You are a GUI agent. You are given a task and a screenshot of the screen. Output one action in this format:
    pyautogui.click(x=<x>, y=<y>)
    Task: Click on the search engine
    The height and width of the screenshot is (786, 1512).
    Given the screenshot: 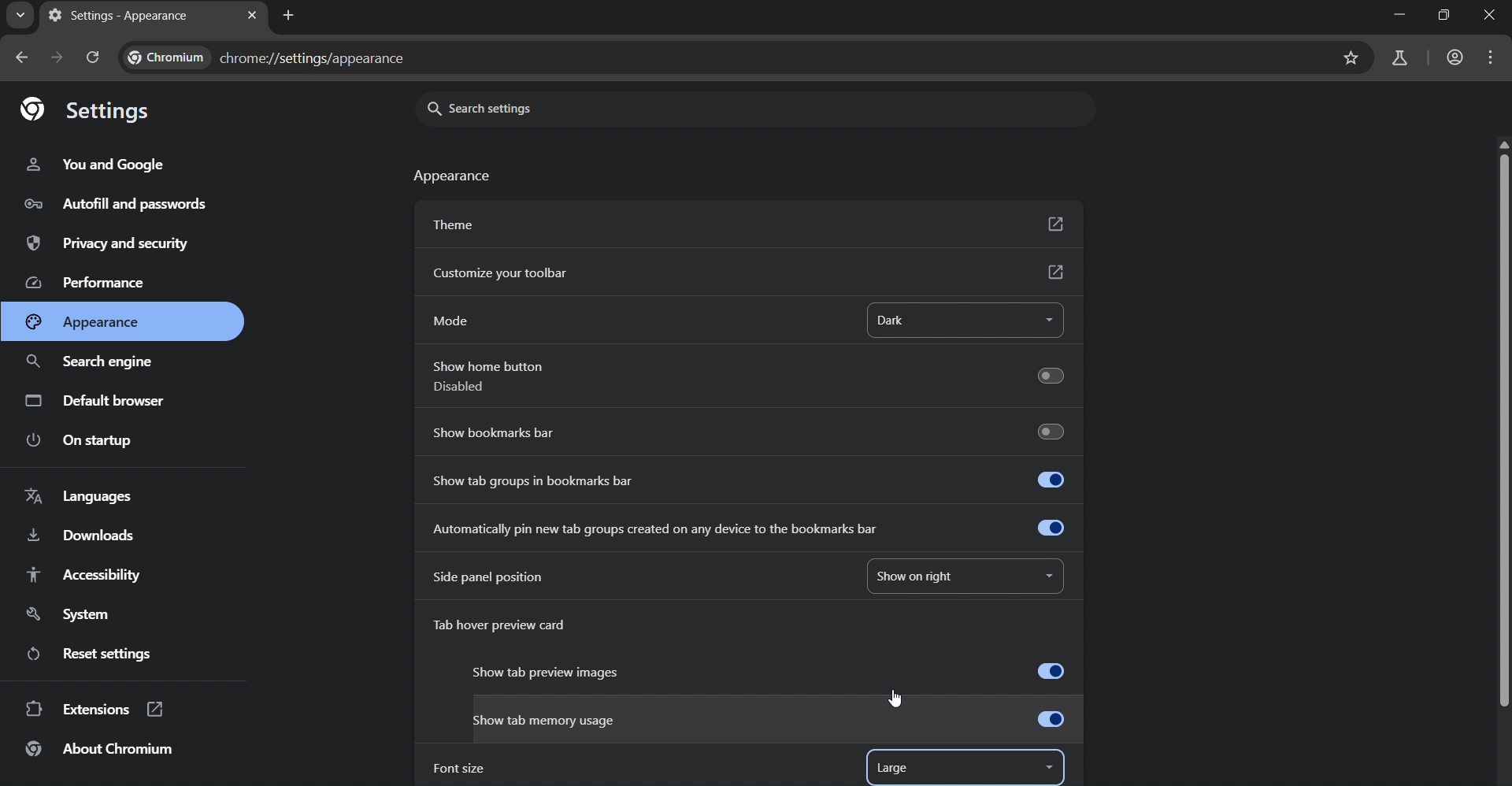 What is the action you would take?
    pyautogui.click(x=94, y=365)
    